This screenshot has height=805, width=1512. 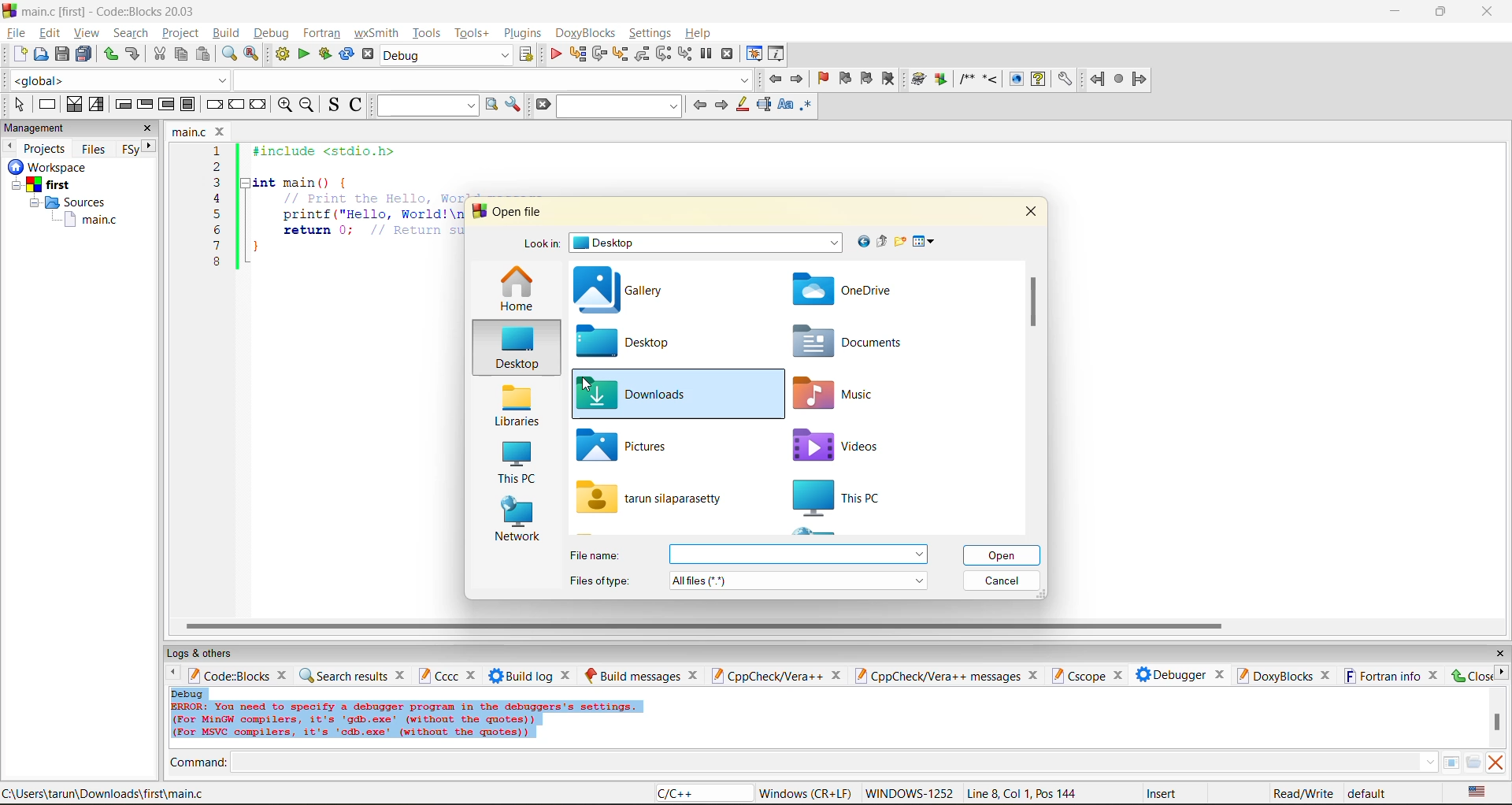 I want to click on debugging windows, so click(x=754, y=55).